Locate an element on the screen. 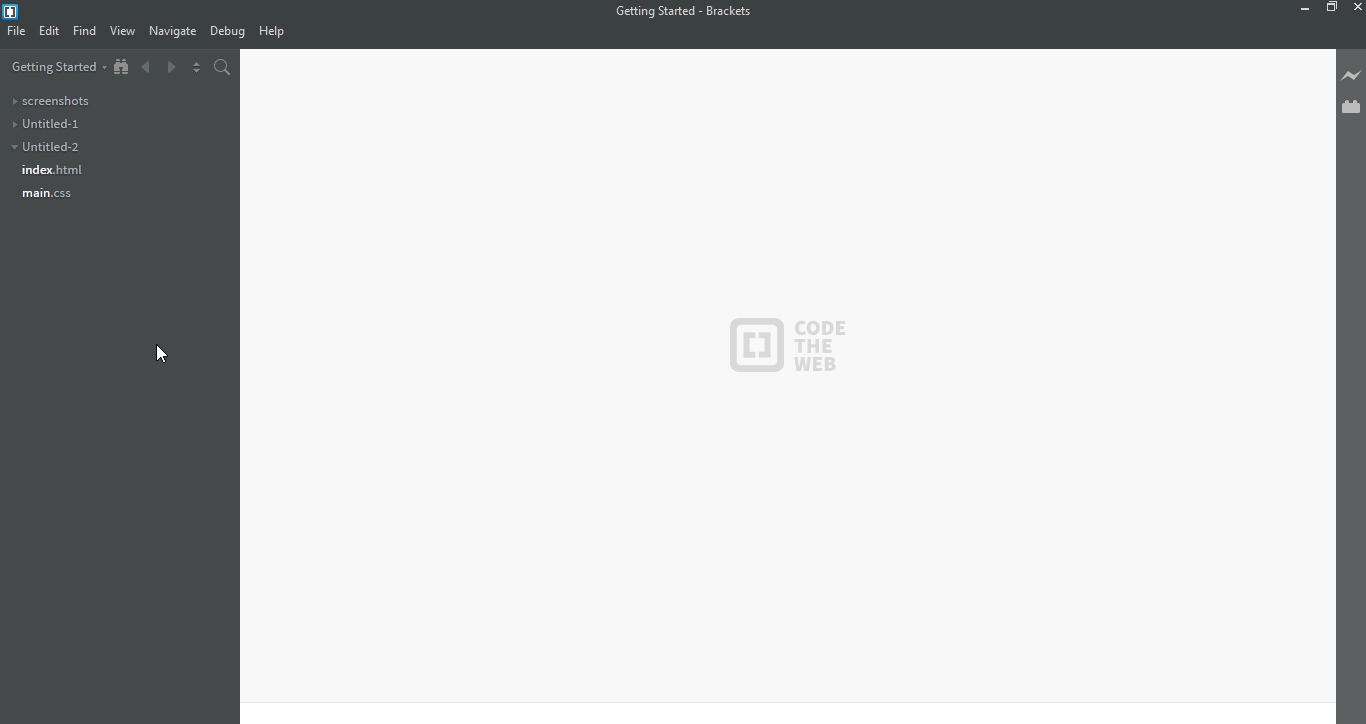  toggle is located at coordinates (197, 67).